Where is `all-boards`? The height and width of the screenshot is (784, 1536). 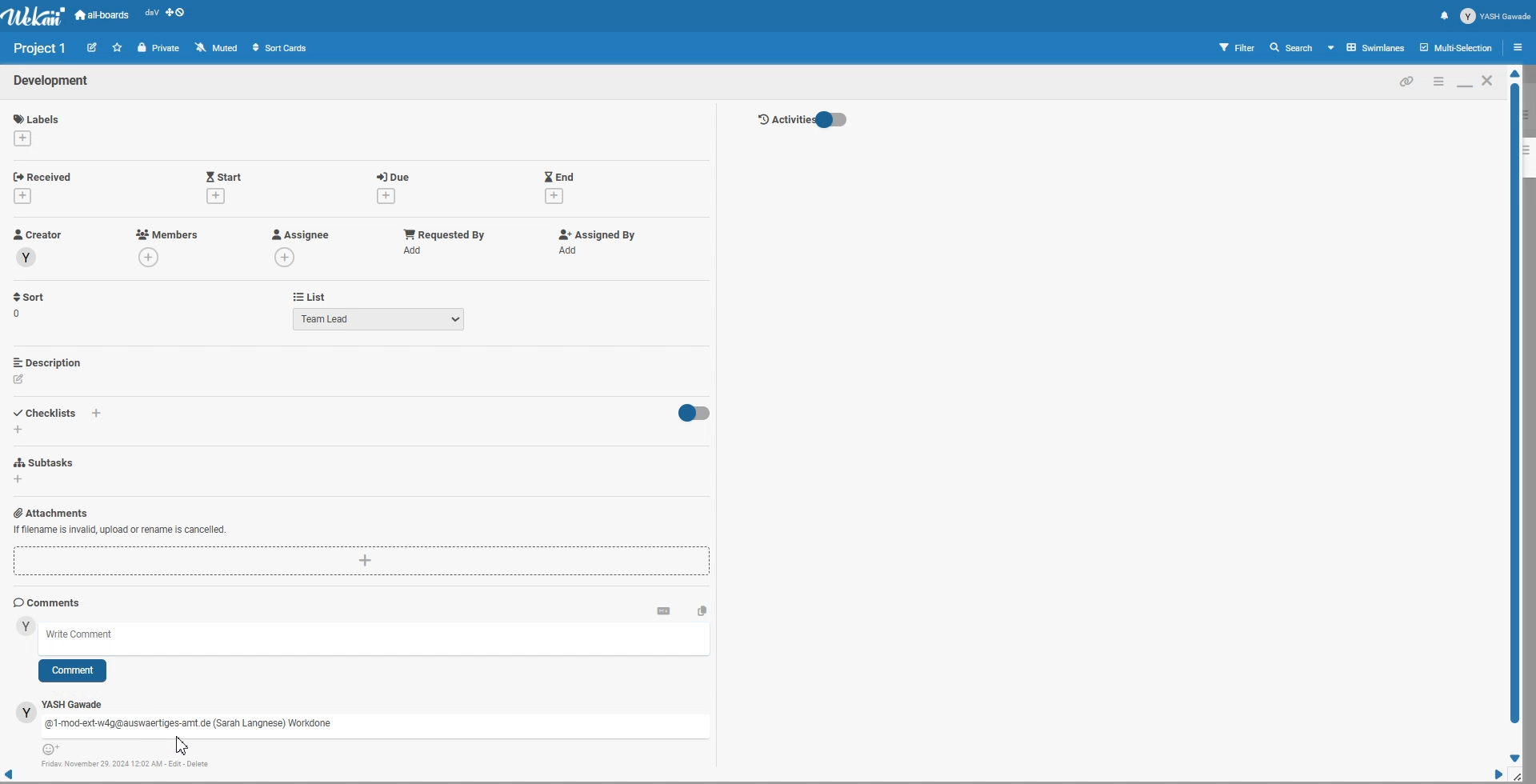
all-boards is located at coordinates (102, 15).